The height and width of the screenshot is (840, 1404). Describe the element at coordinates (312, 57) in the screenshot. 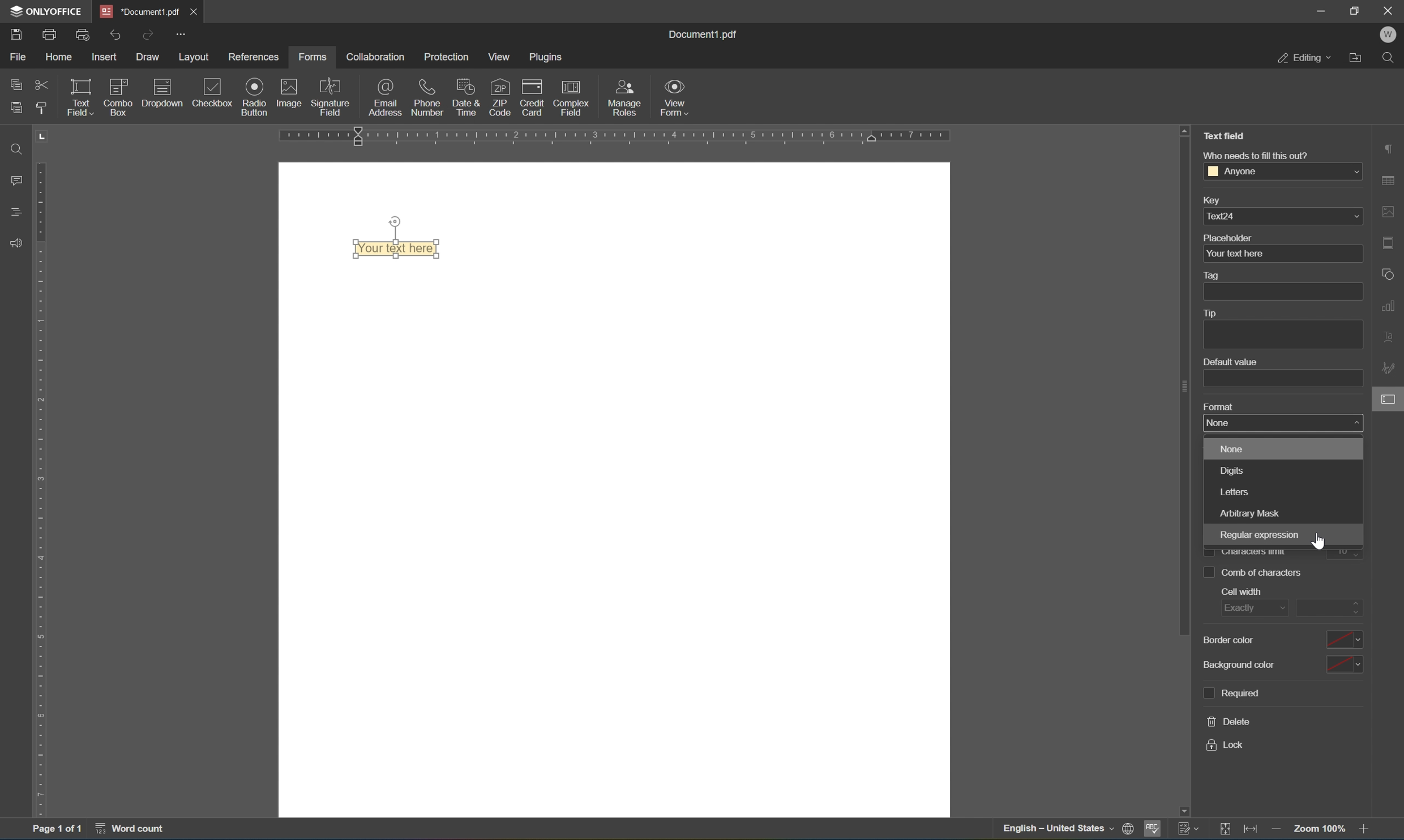

I see `forms` at that location.